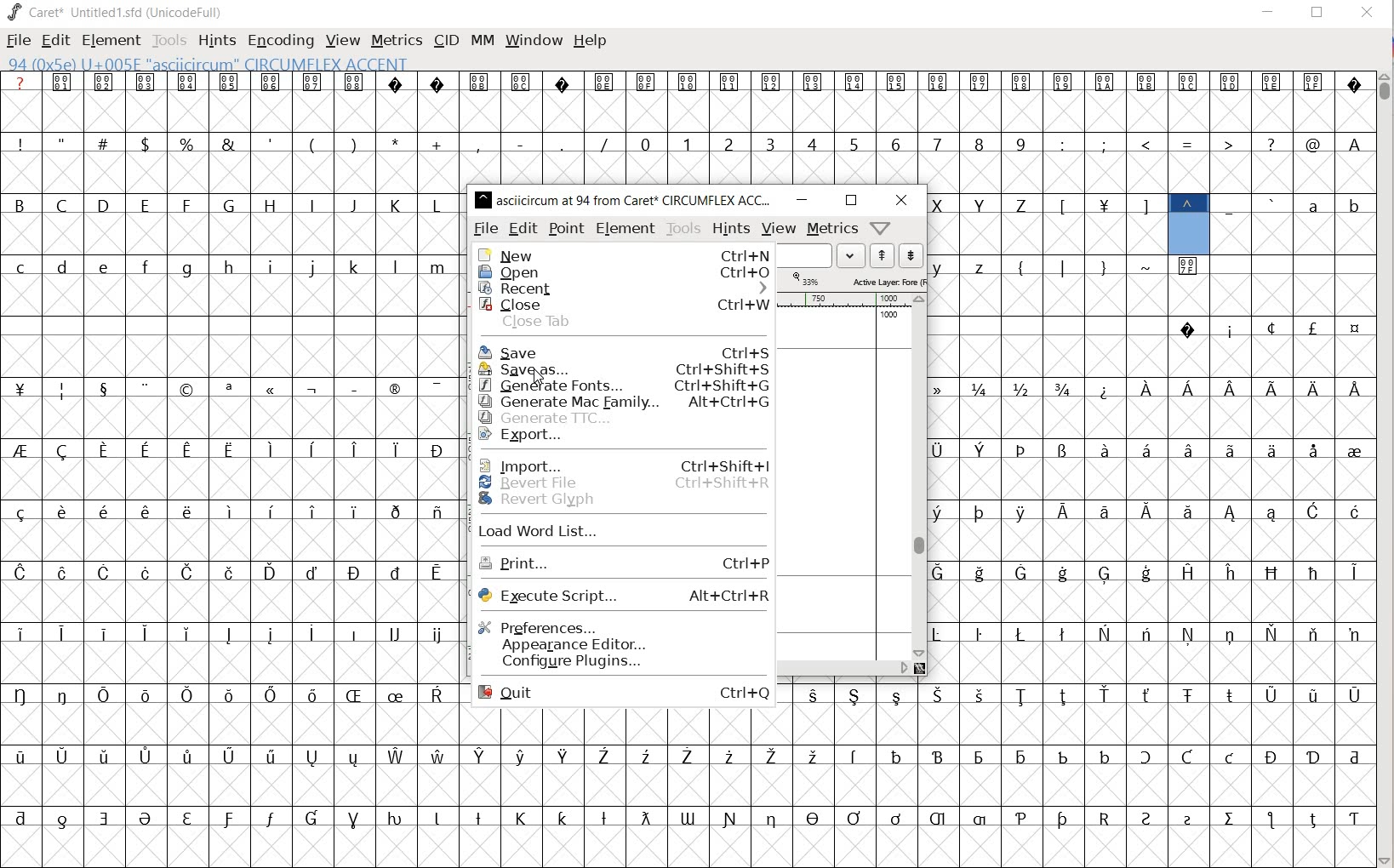  I want to click on appearance editor, so click(619, 643).